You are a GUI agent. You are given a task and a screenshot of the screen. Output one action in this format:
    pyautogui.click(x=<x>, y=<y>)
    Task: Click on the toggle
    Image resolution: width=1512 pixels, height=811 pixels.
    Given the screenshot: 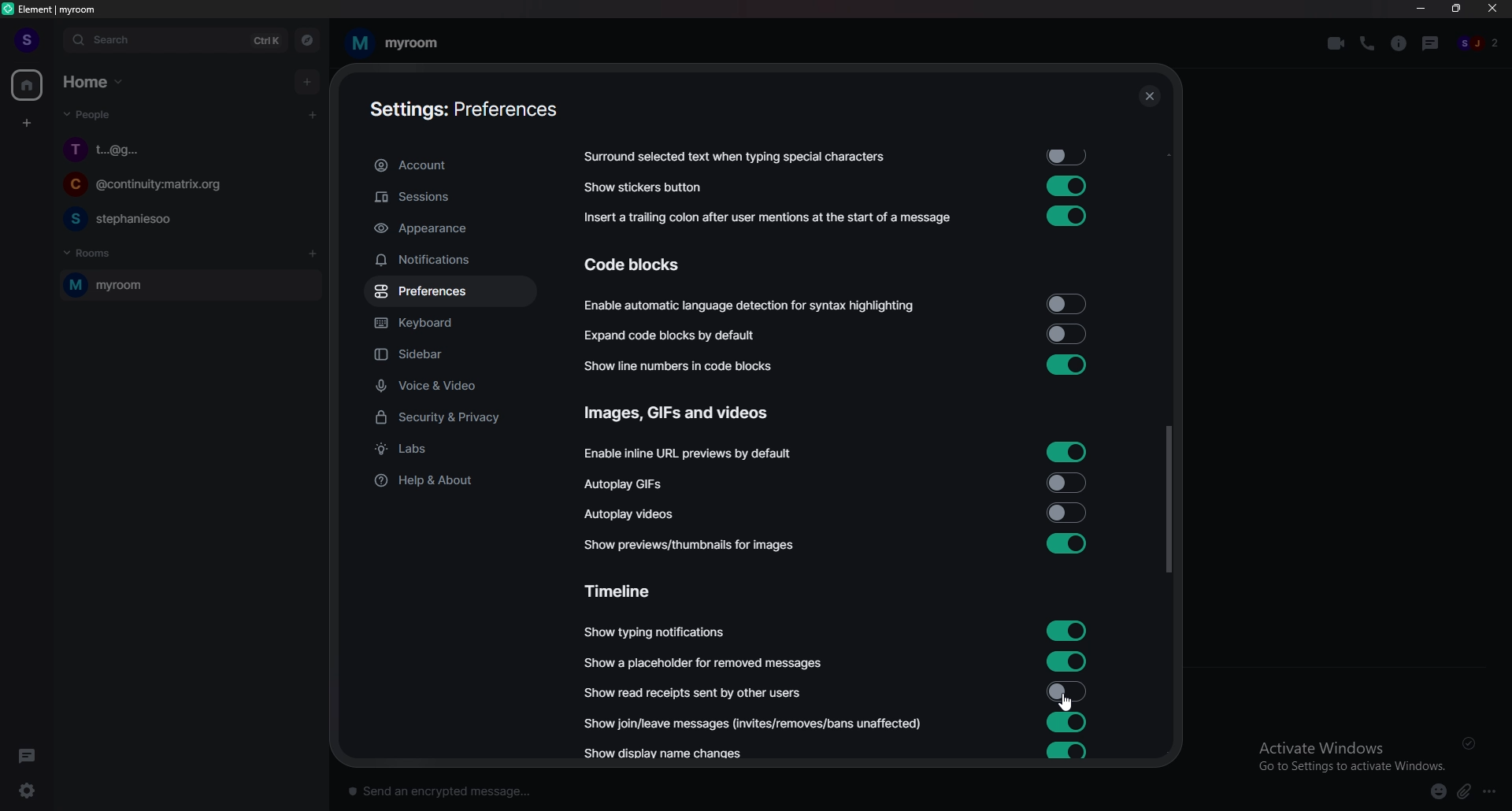 What is the action you would take?
    pyautogui.click(x=1068, y=659)
    